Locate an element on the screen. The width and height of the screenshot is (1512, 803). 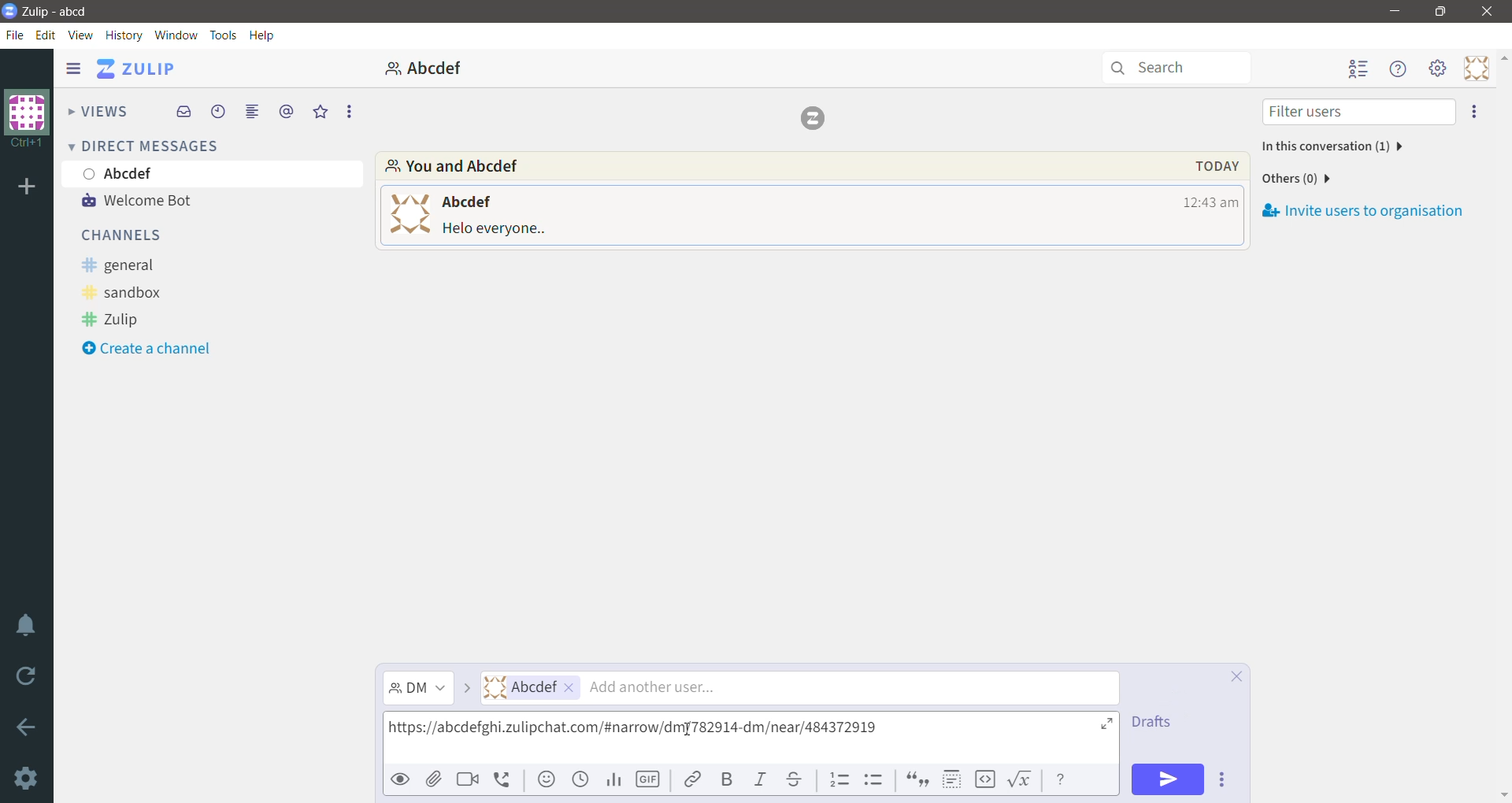
Application Logo is located at coordinates (9, 13).